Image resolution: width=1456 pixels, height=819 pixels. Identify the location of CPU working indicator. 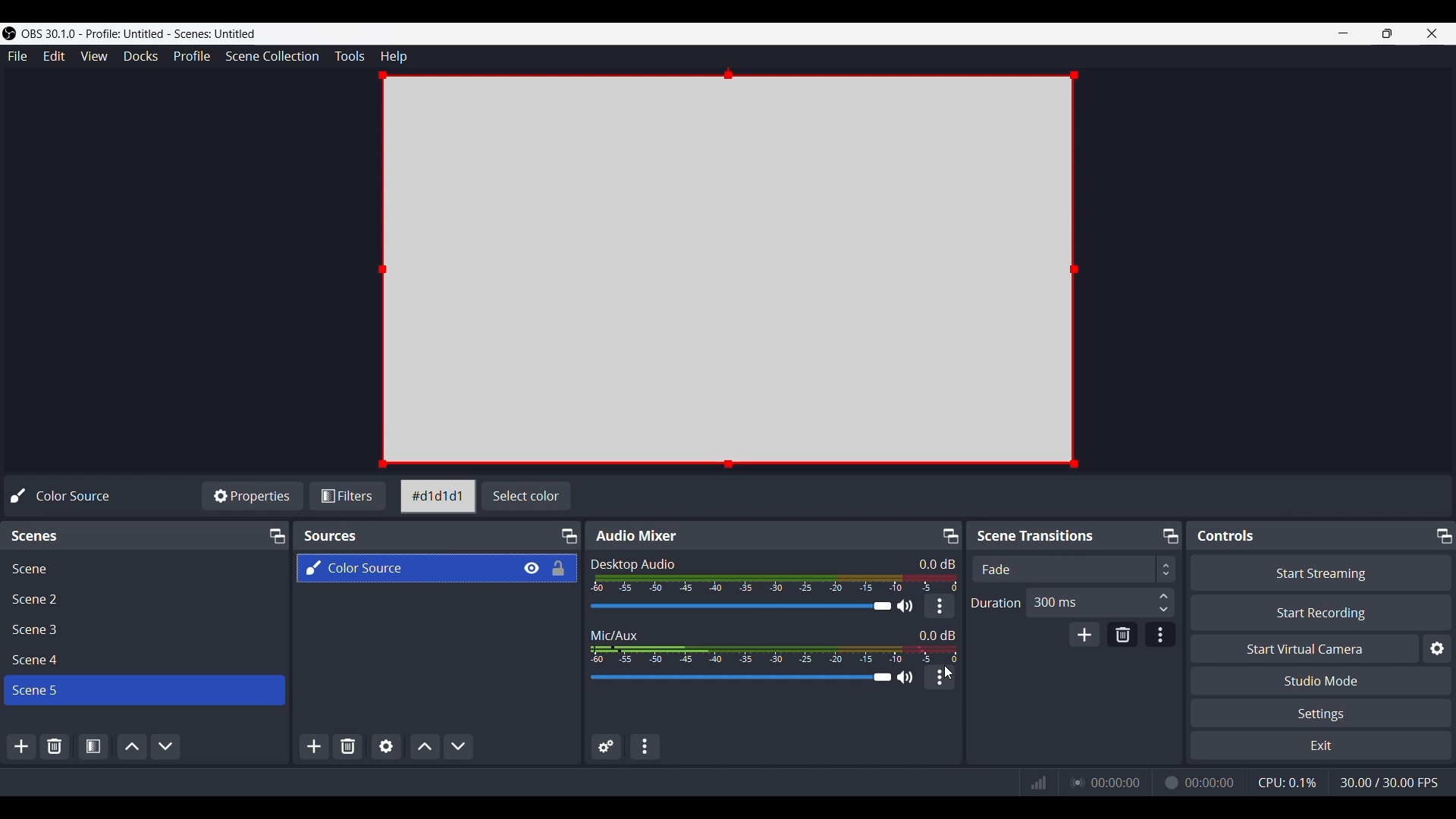
(1287, 782).